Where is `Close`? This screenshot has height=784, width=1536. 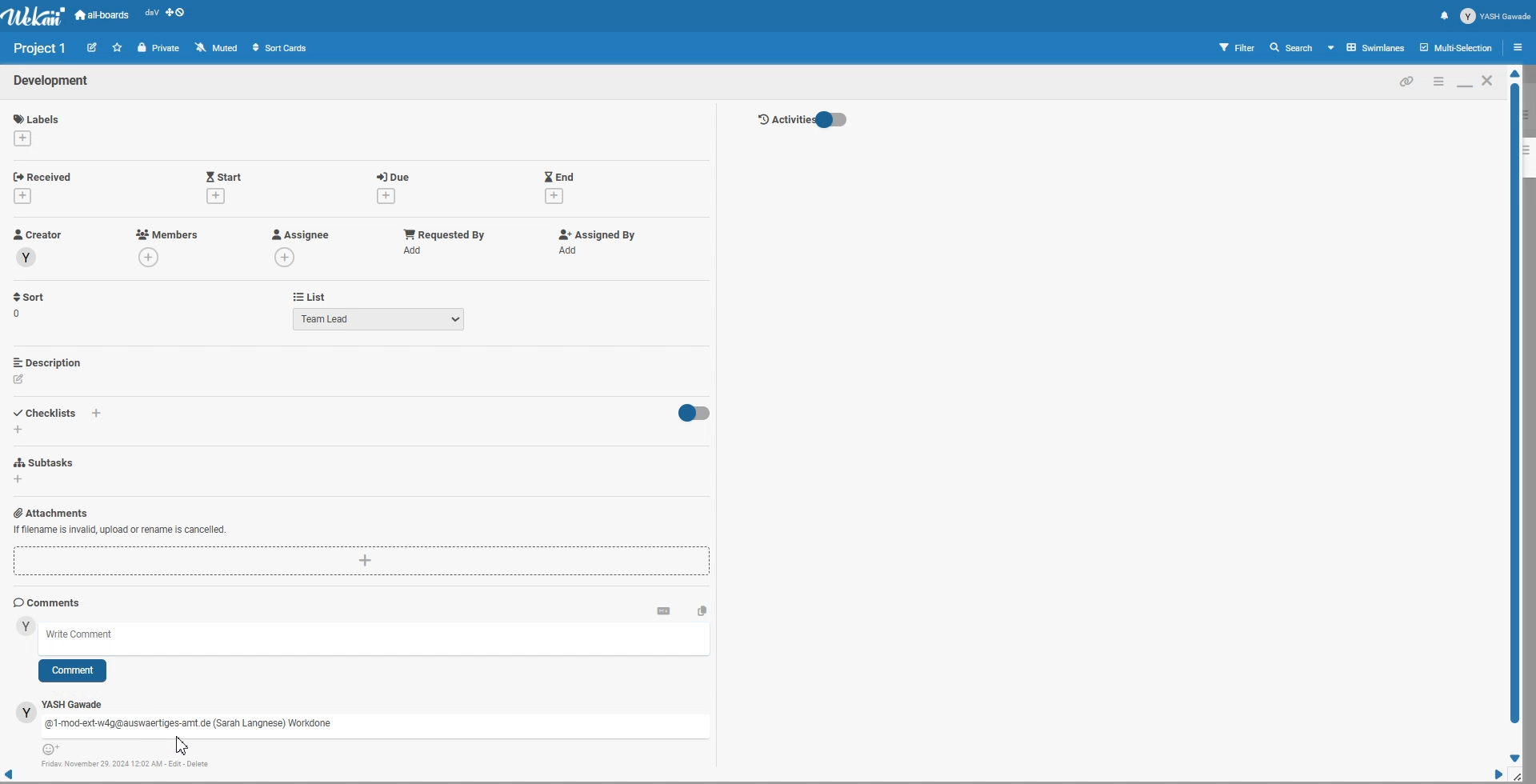 Close is located at coordinates (1489, 80).